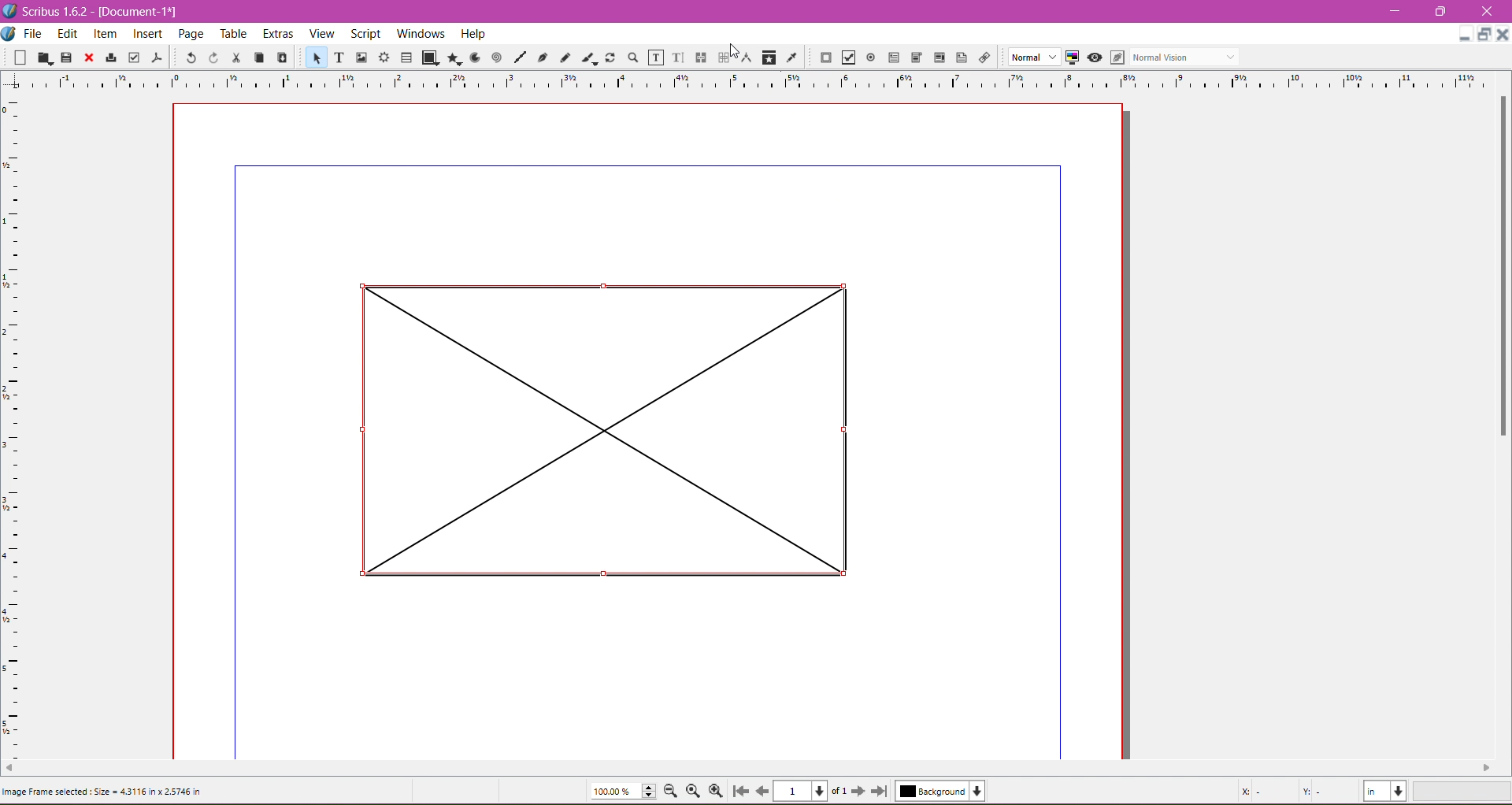 The height and width of the screenshot is (805, 1512). Describe the element at coordinates (1188, 57) in the screenshot. I see `Select visual appearance of the display` at that location.